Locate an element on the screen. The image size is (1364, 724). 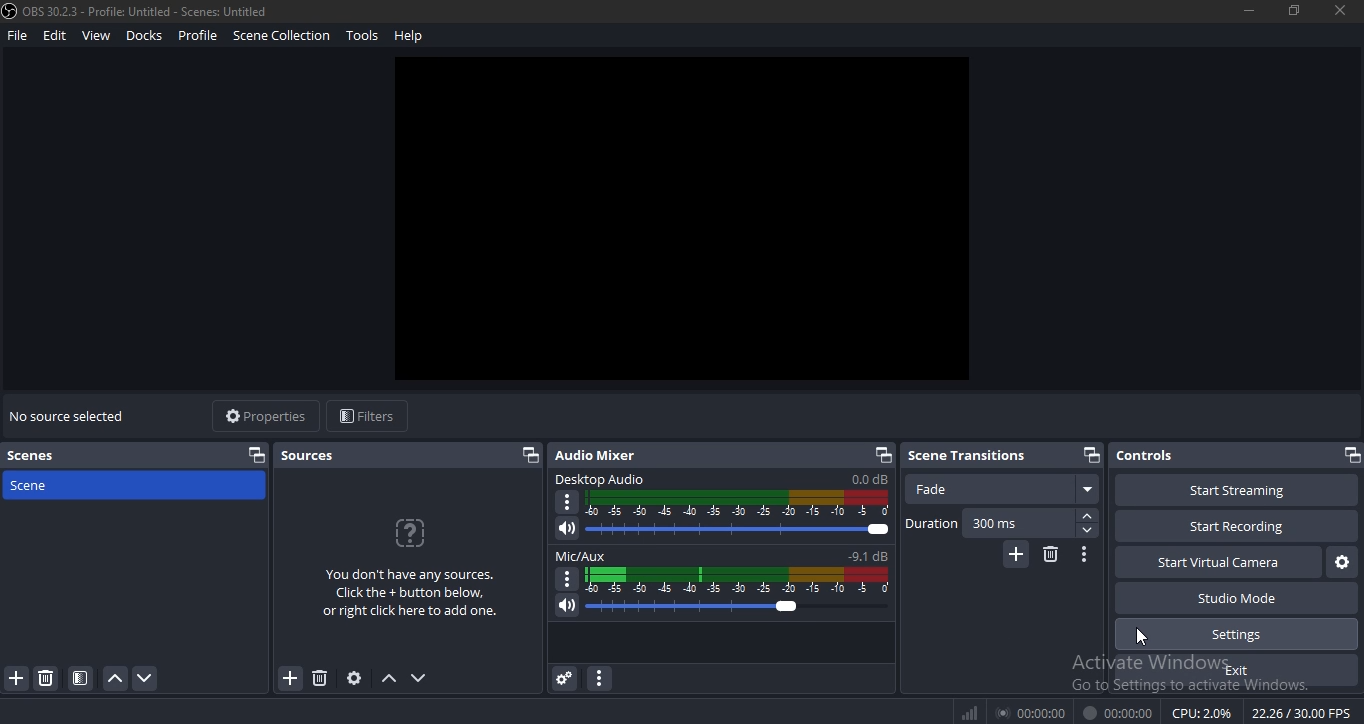
move down is located at coordinates (419, 678).